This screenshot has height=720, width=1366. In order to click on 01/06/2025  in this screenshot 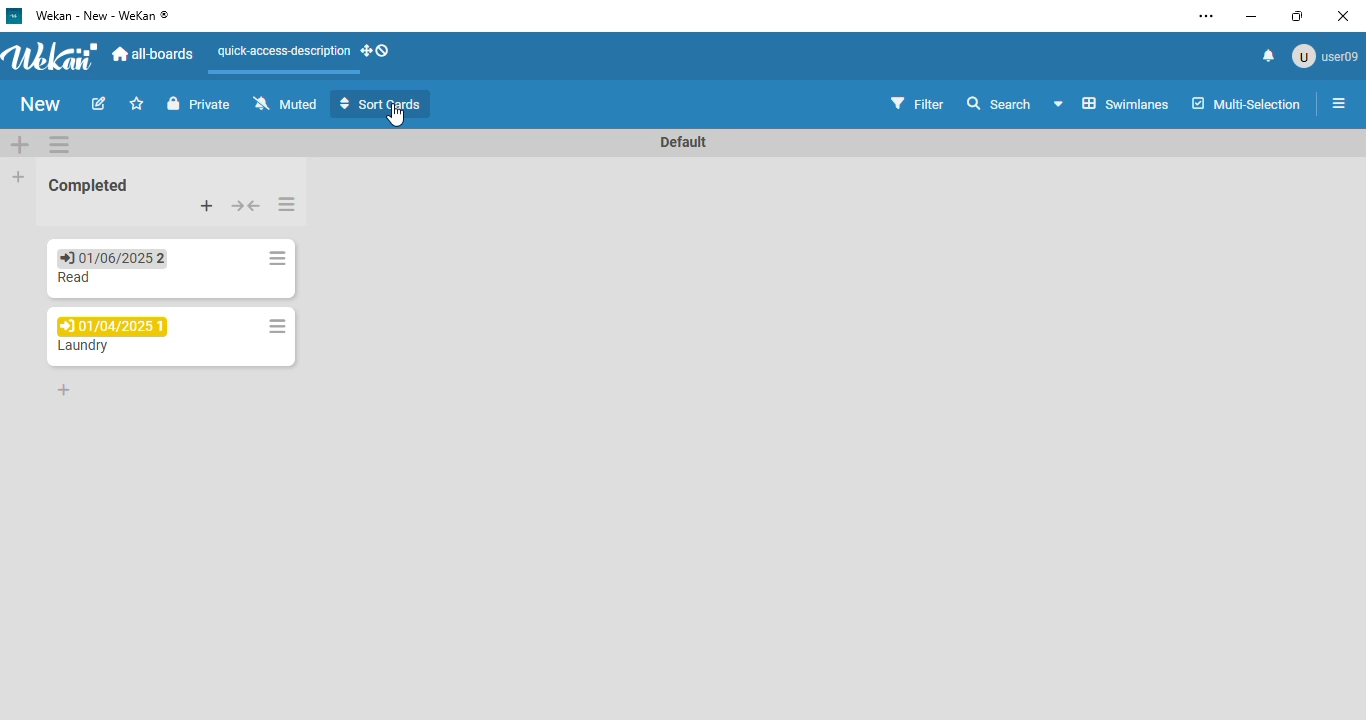, I will do `click(109, 257)`.